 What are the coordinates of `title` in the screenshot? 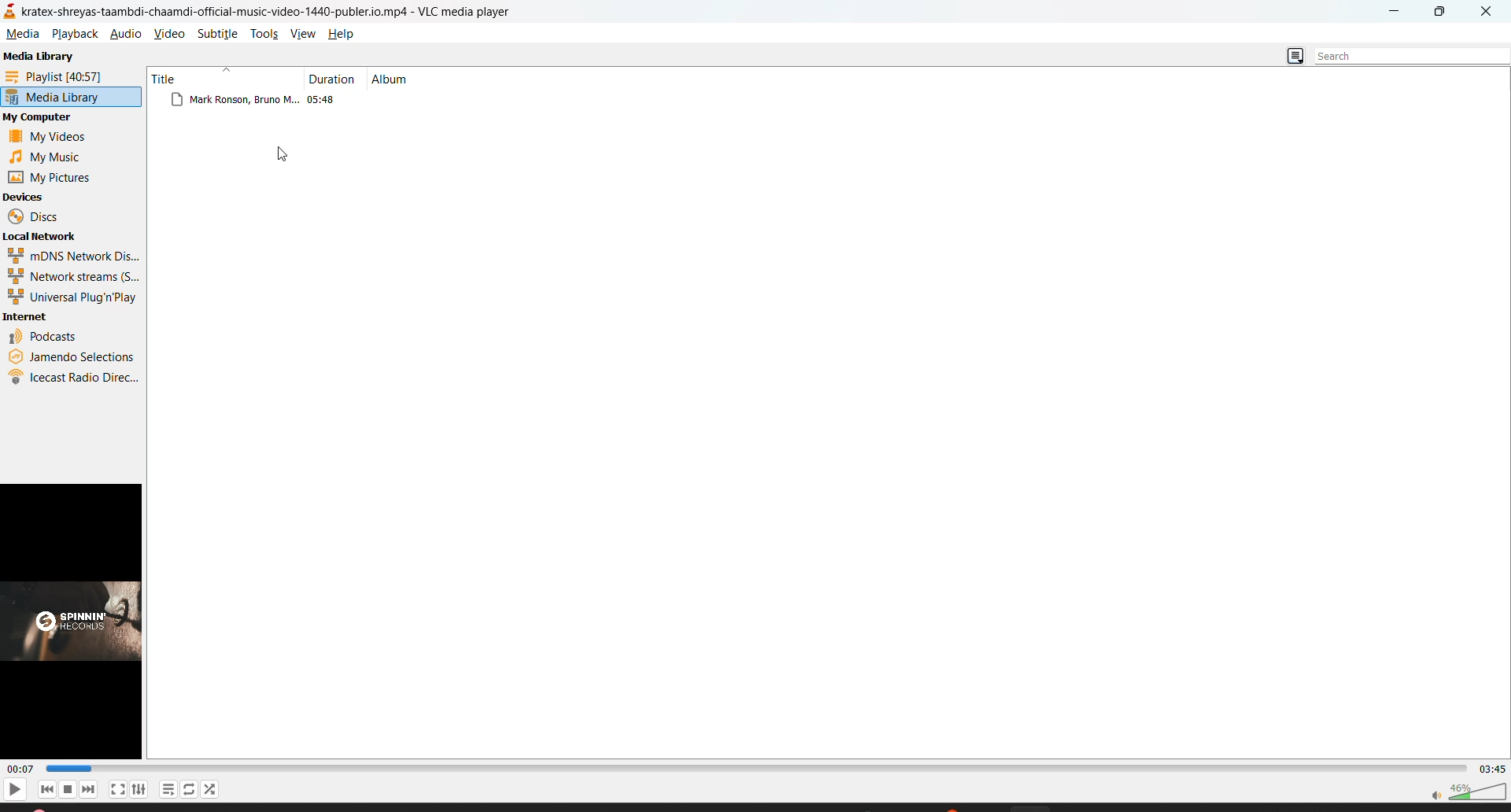 It's located at (170, 76).